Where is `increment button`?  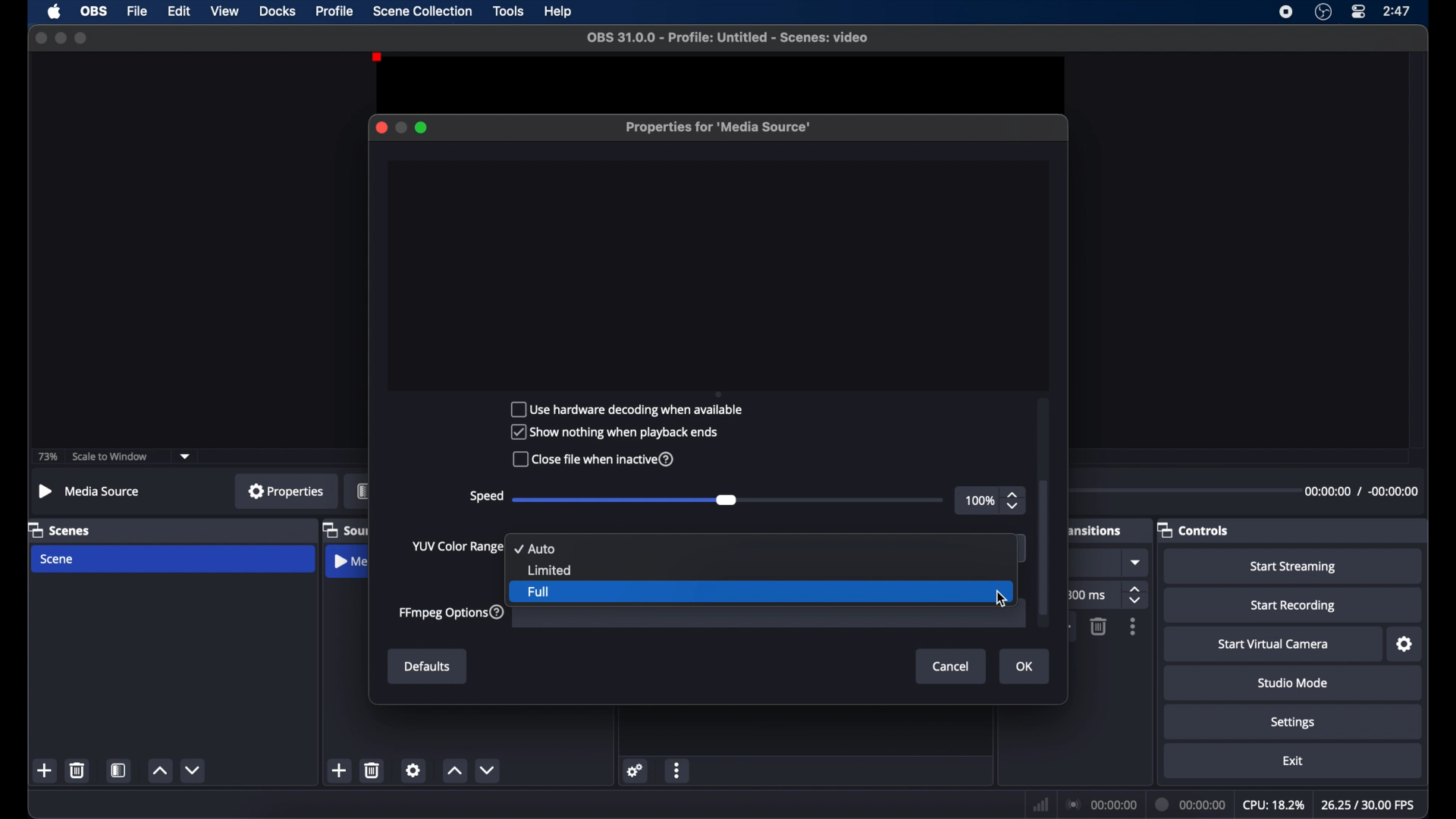
increment button is located at coordinates (159, 770).